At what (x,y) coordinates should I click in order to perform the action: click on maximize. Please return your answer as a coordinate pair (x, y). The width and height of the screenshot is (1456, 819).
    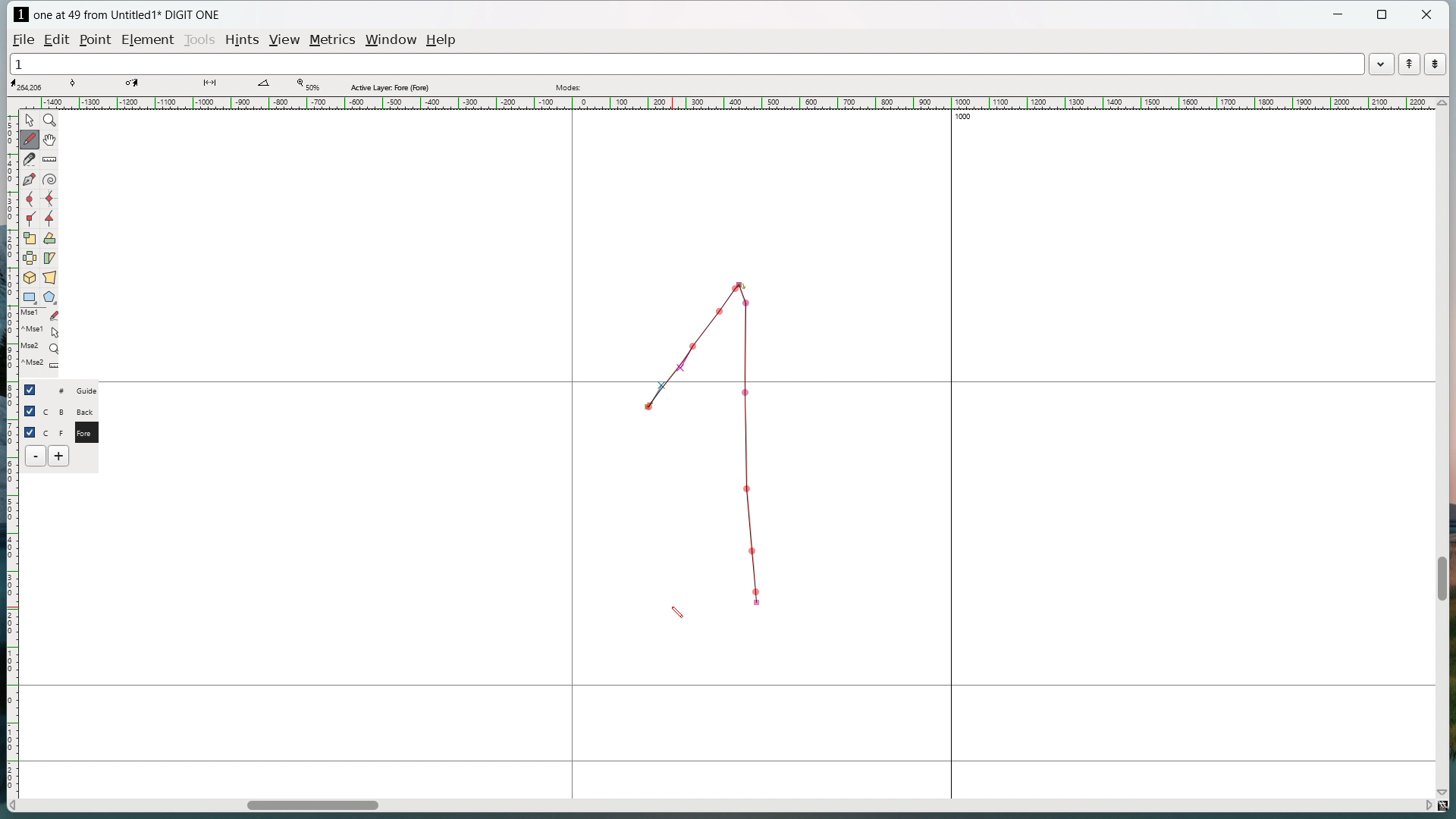
    Looking at the image, I should click on (1383, 15).